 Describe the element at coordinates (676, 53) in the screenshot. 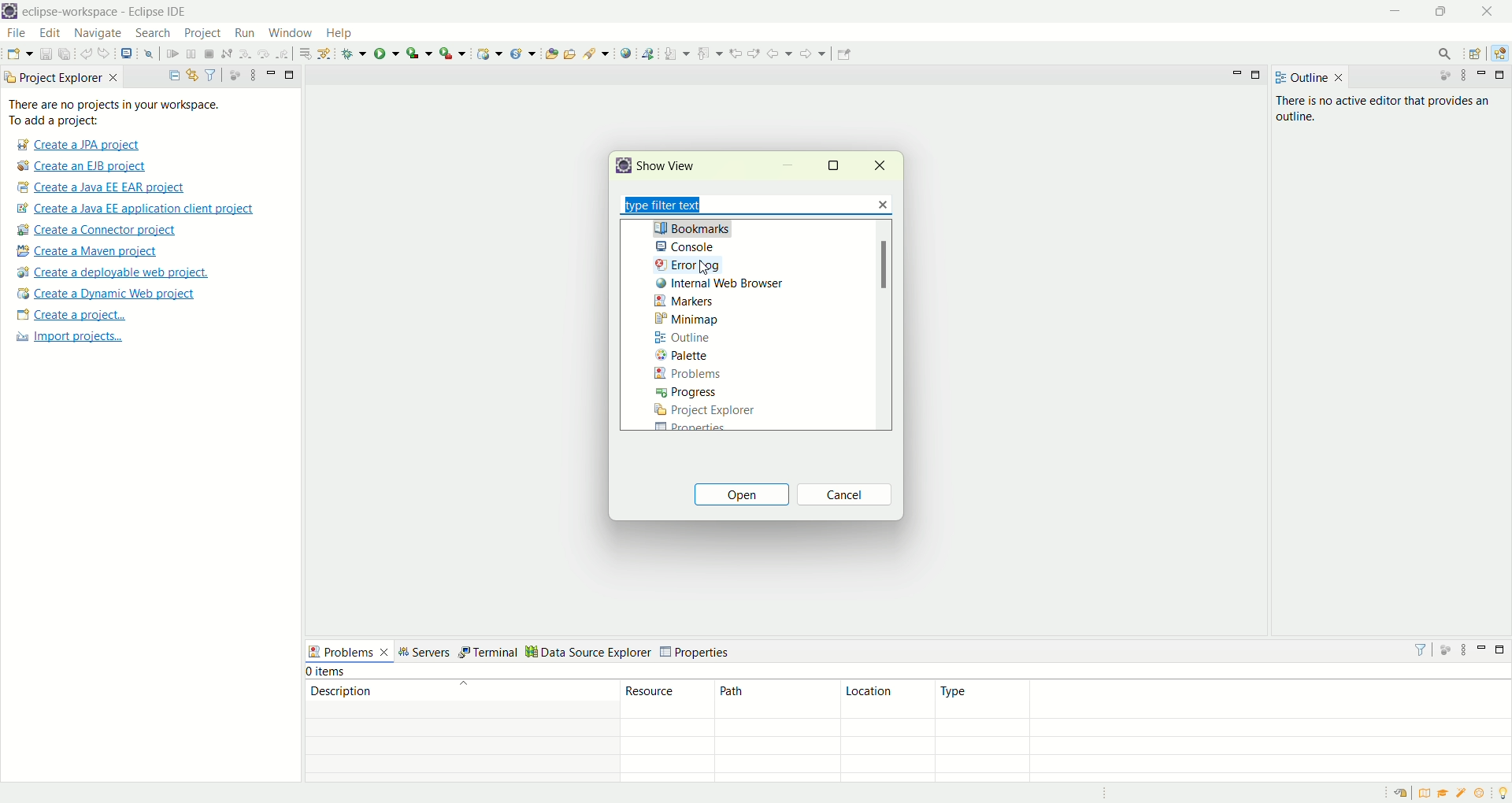

I see `next annotations` at that location.